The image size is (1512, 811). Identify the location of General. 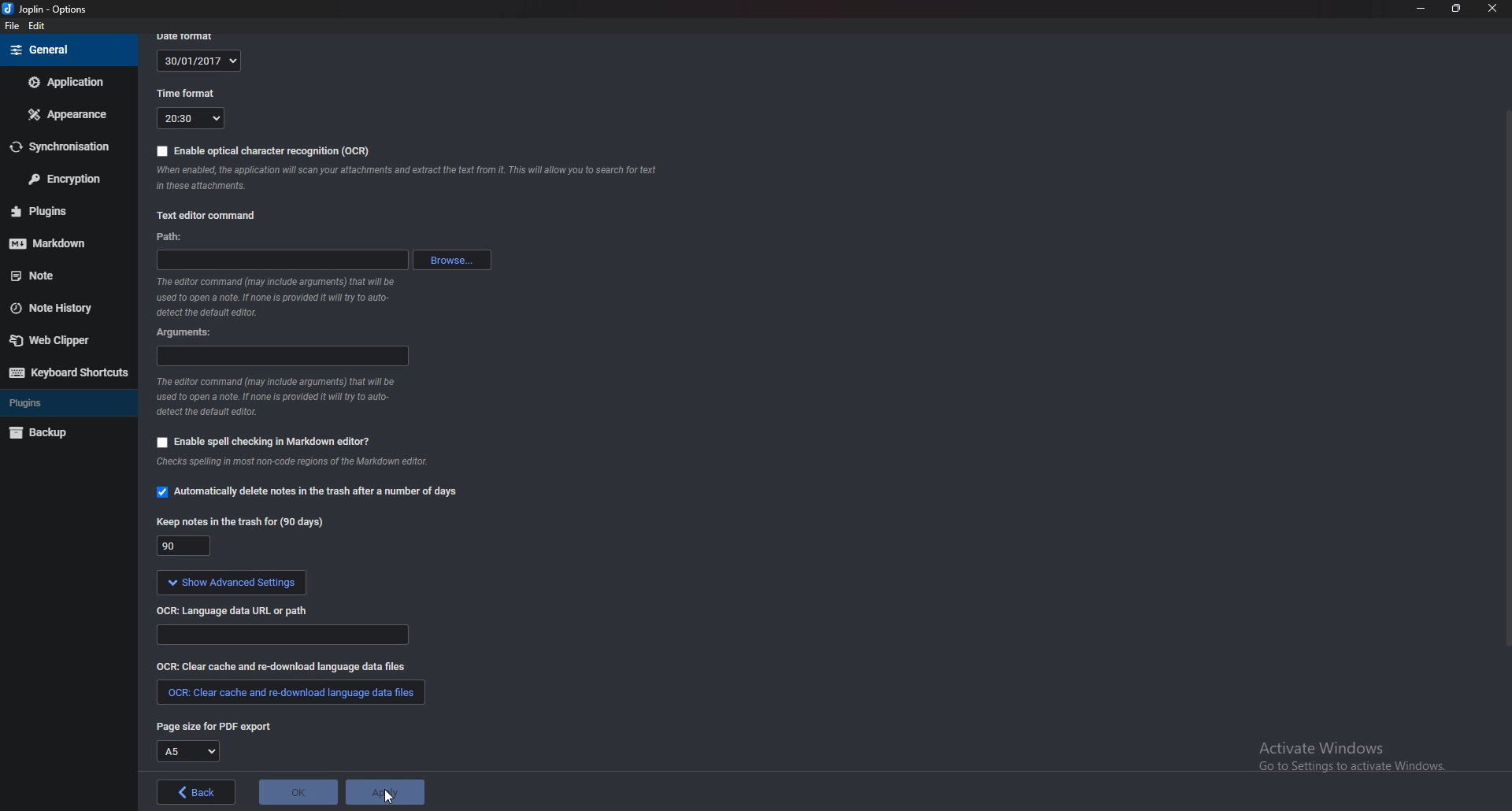
(67, 50).